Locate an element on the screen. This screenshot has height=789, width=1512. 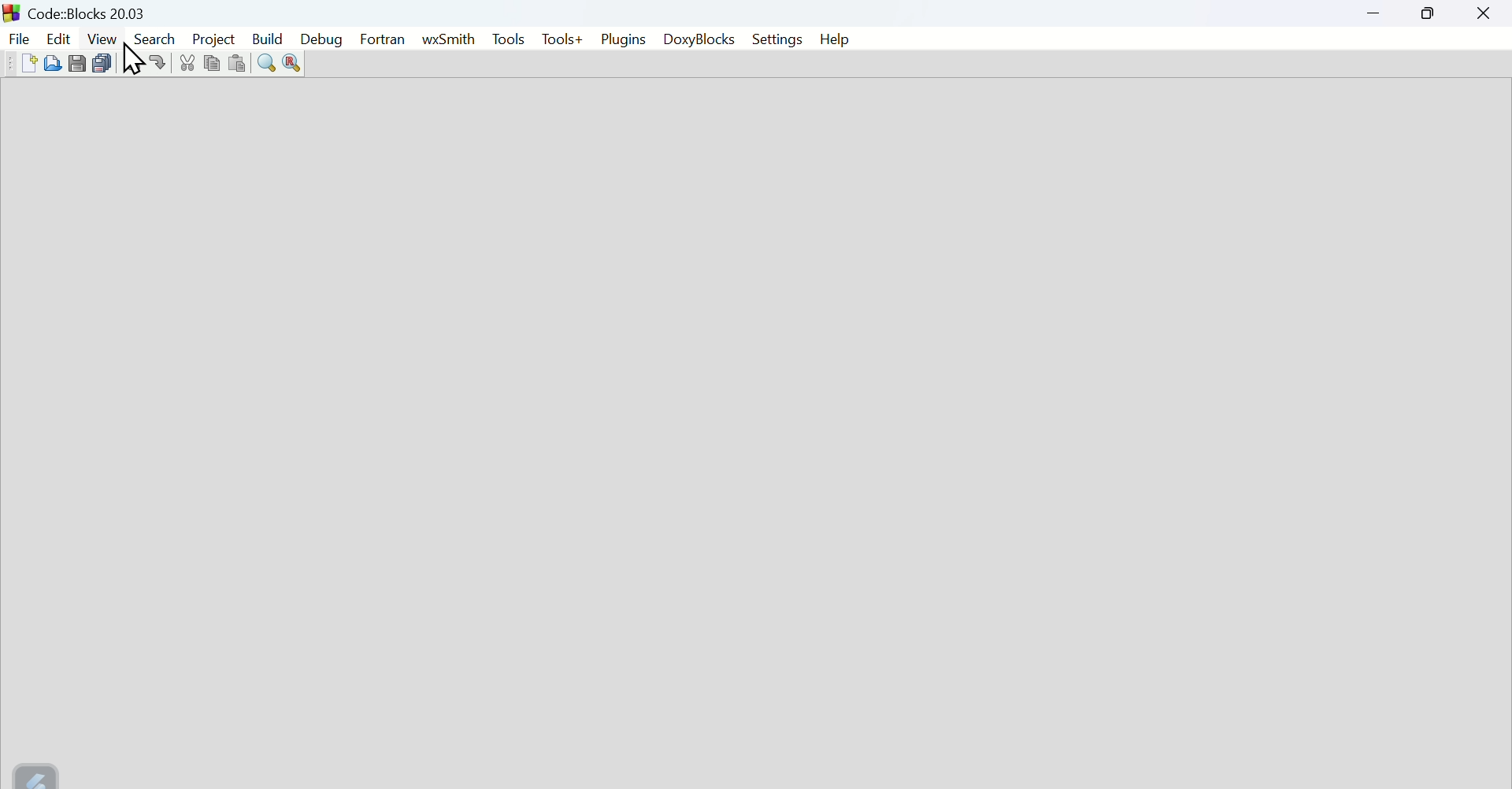
Redo is located at coordinates (159, 61).